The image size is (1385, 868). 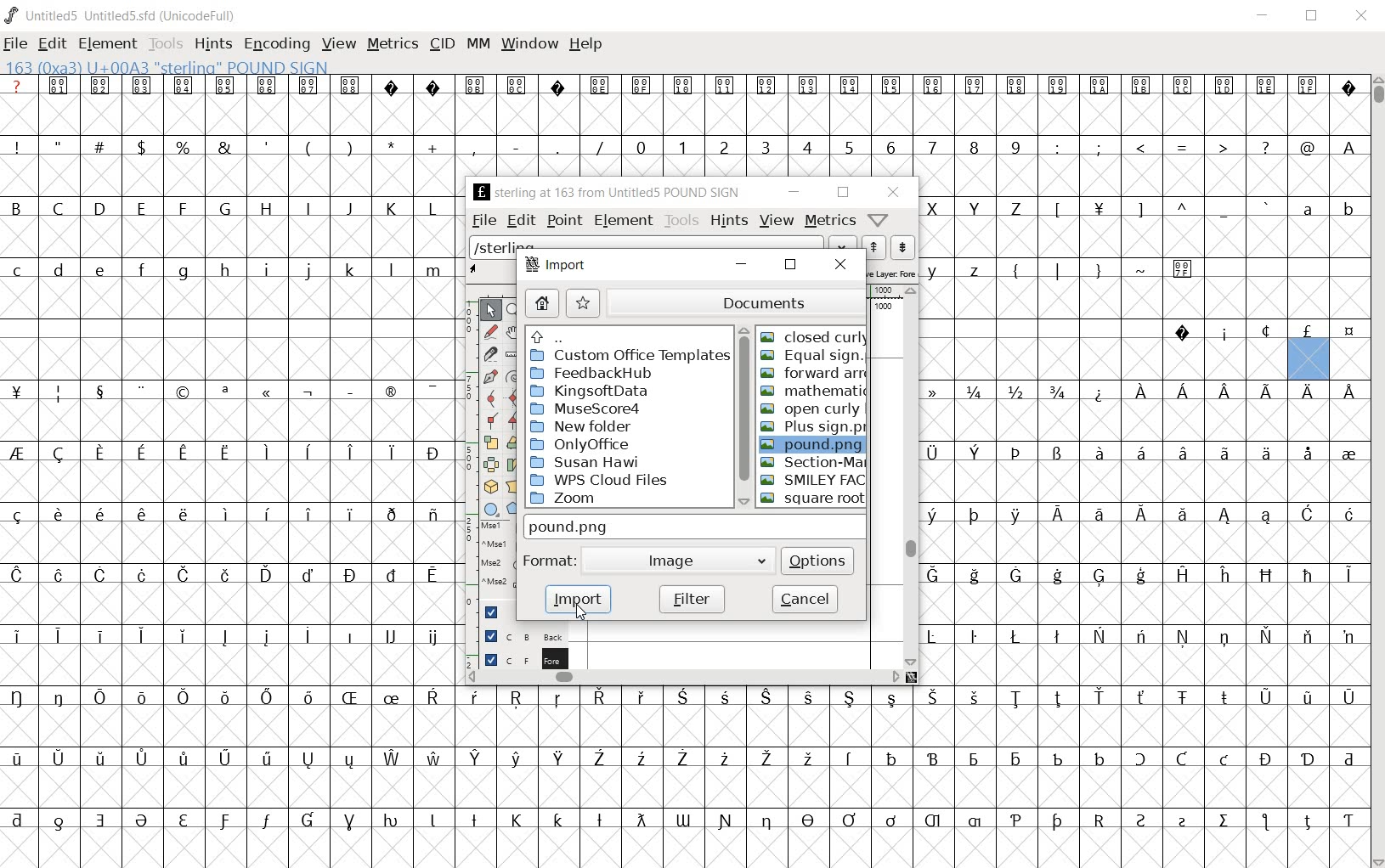 What do you see at coordinates (390, 513) in the screenshot?
I see `Symbol` at bounding box center [390, 513].